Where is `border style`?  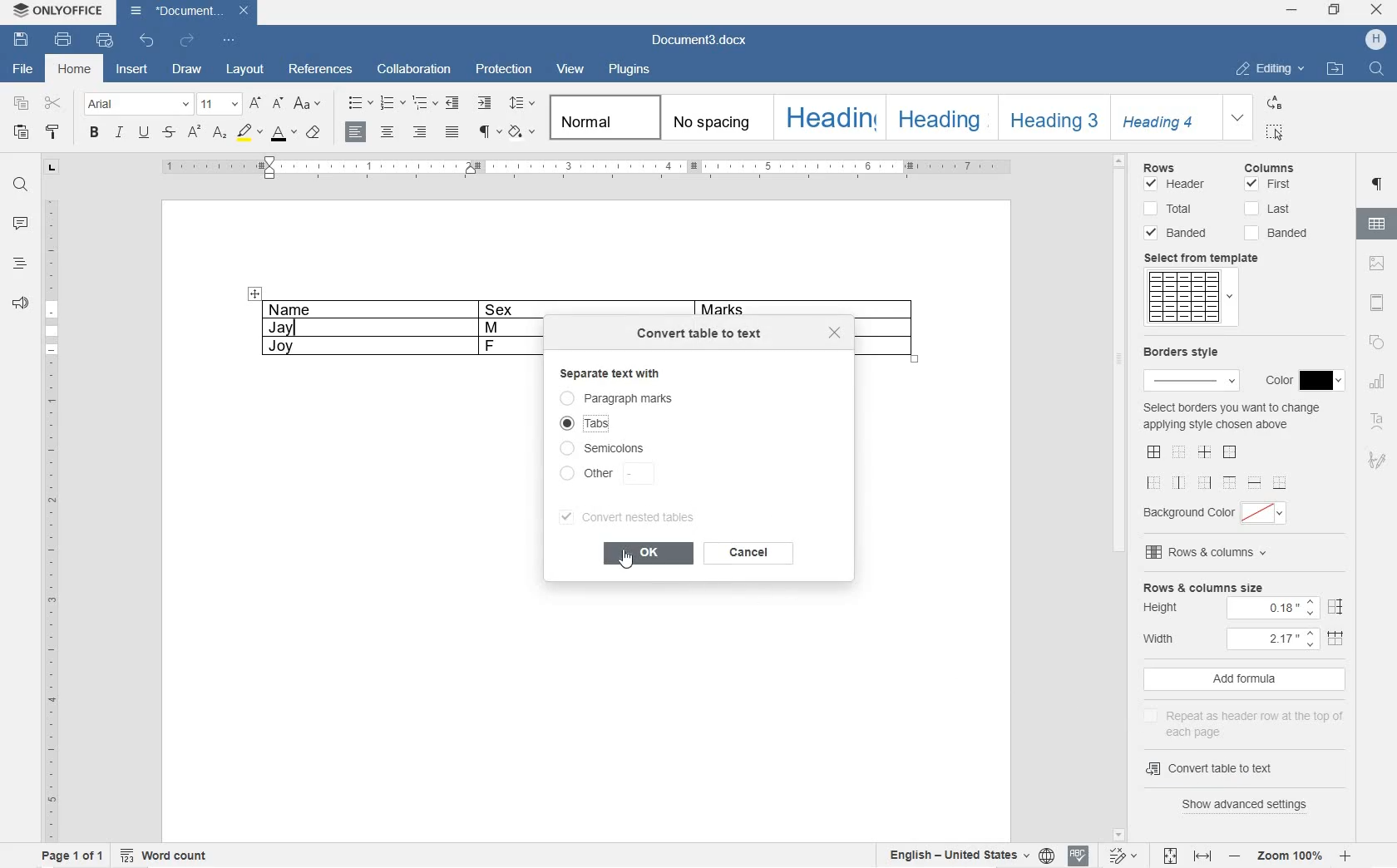 border style is located at coordinates (1190, 367).